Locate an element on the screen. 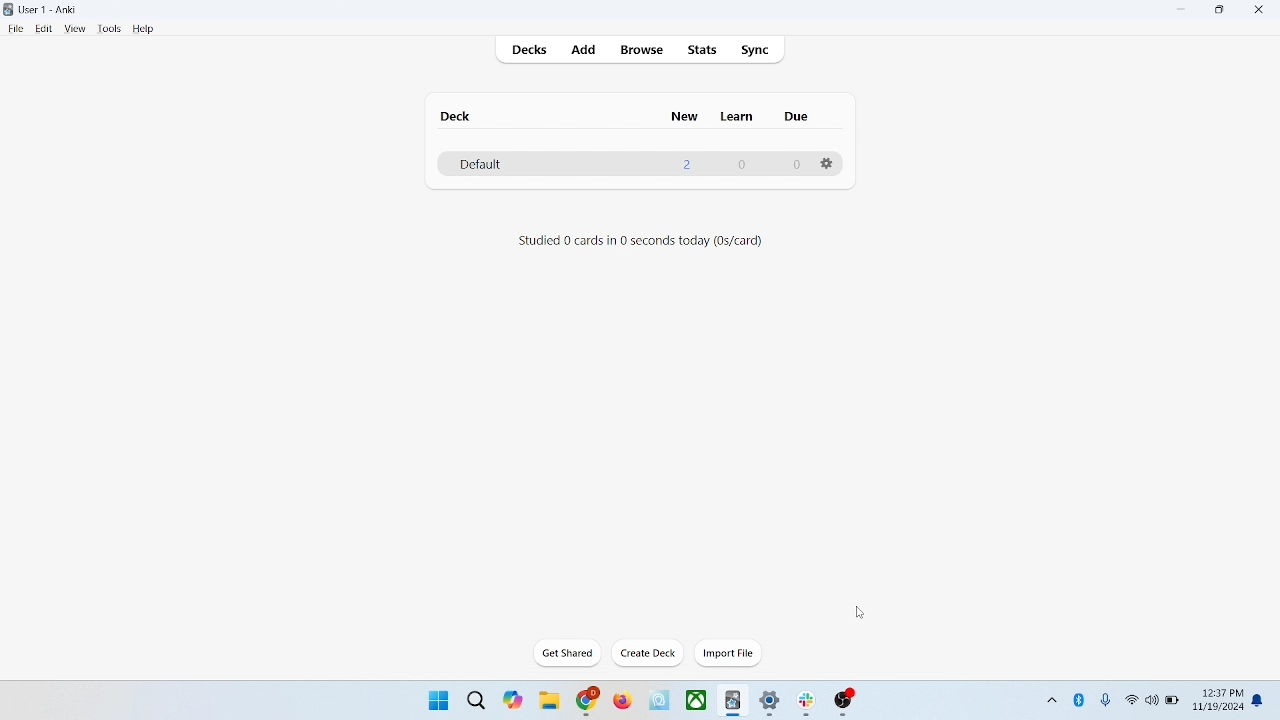 The width and height of the screenshot is (1280, 720). default is located at coordinates (479, 165).